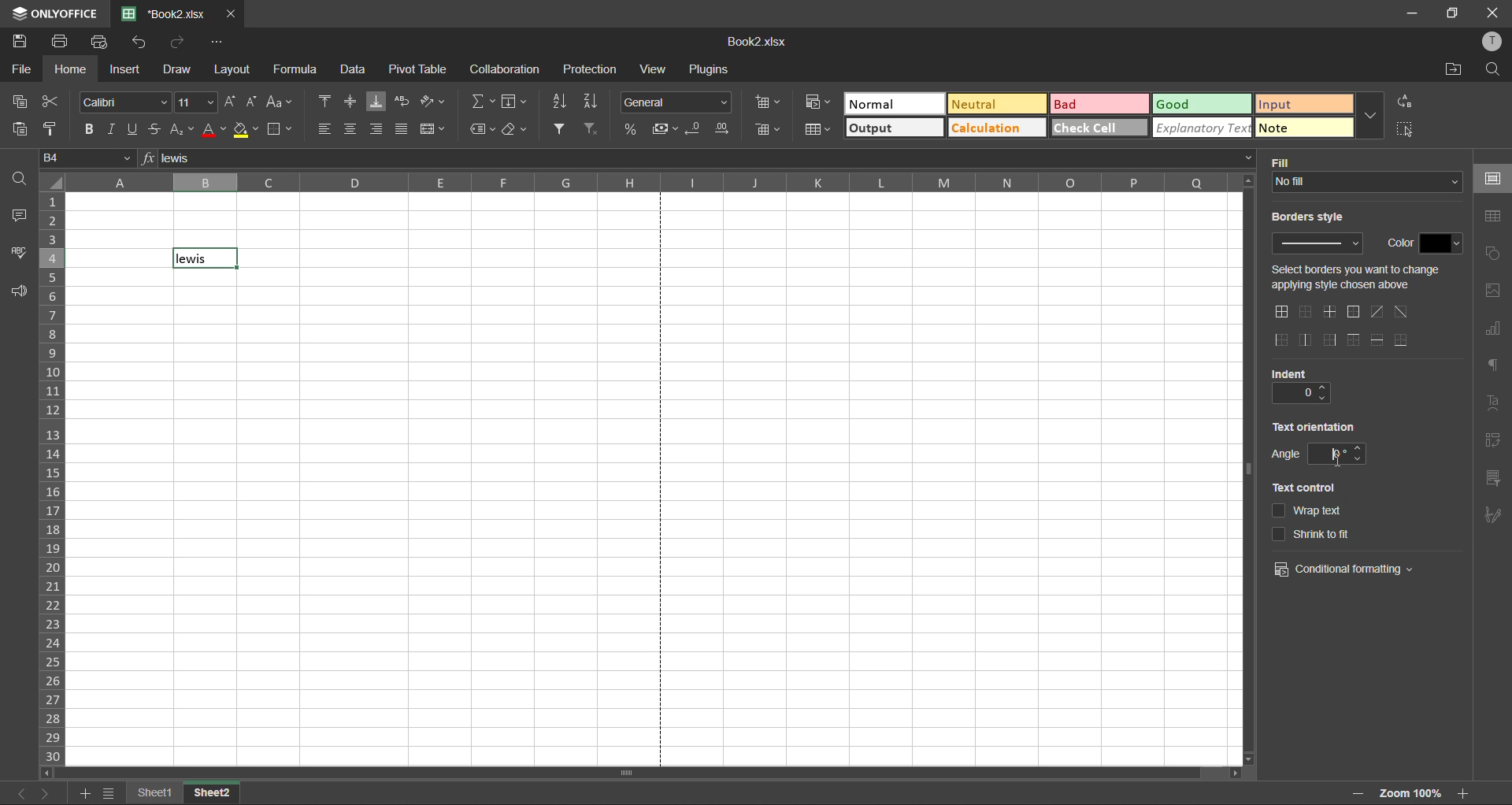  What do you see at coordinates (1313, 532) in the screenshot?
I see `shrink to it` at bounding box center [1313, 532].